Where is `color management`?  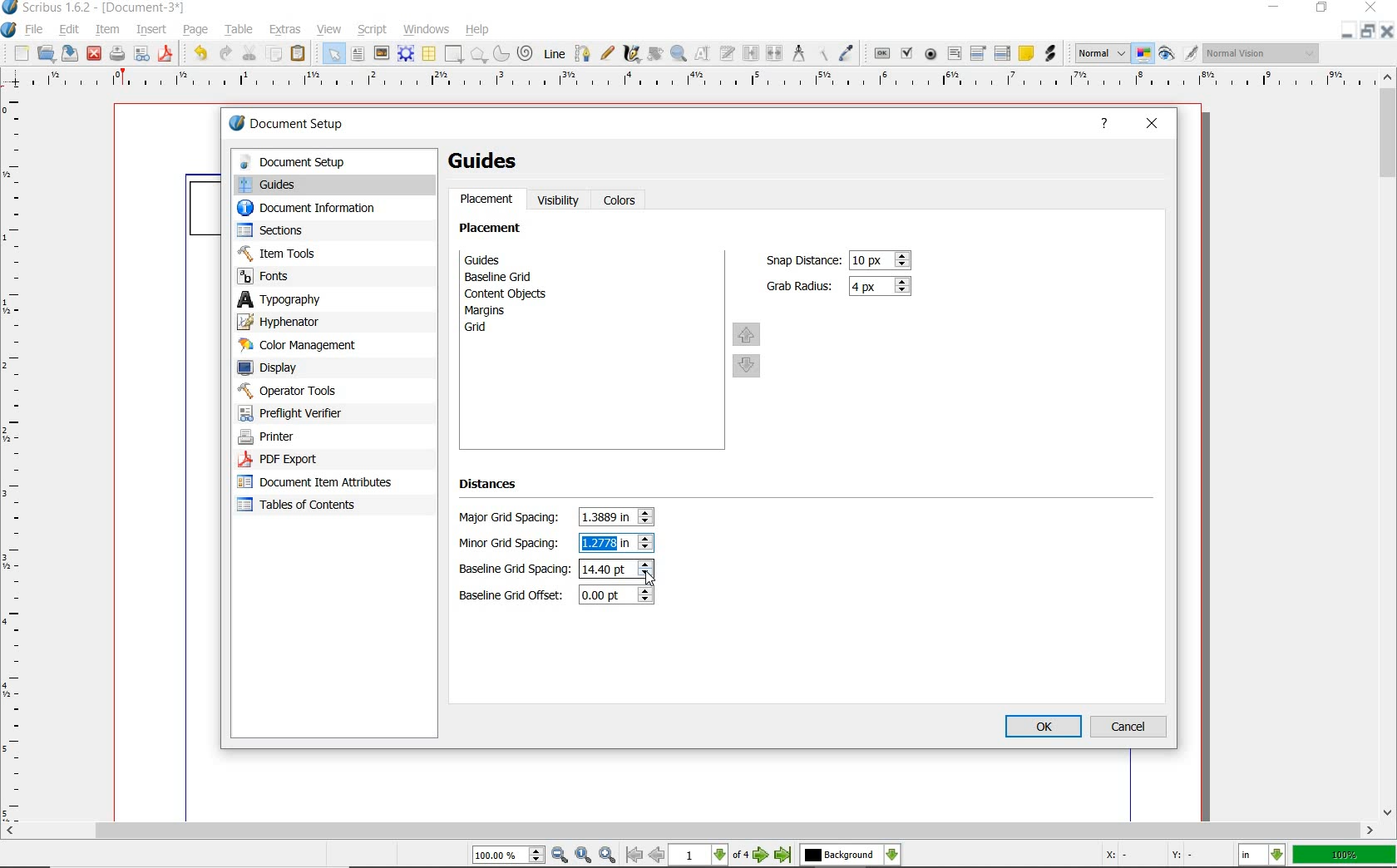 color management is located at coordinates (322, 346).